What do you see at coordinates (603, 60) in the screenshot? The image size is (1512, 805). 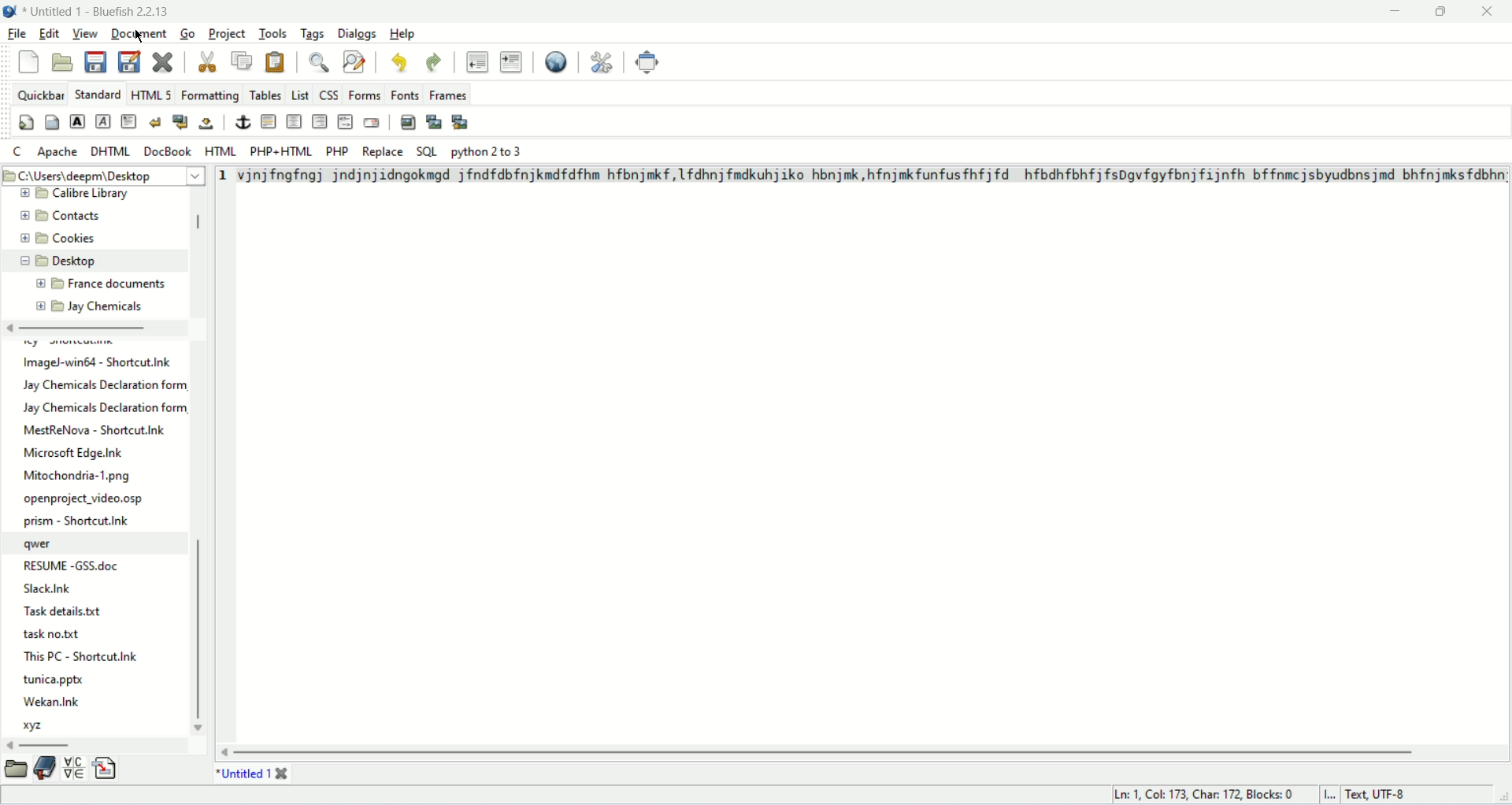 I see `edit preferences` at bounding box center [603, 60].